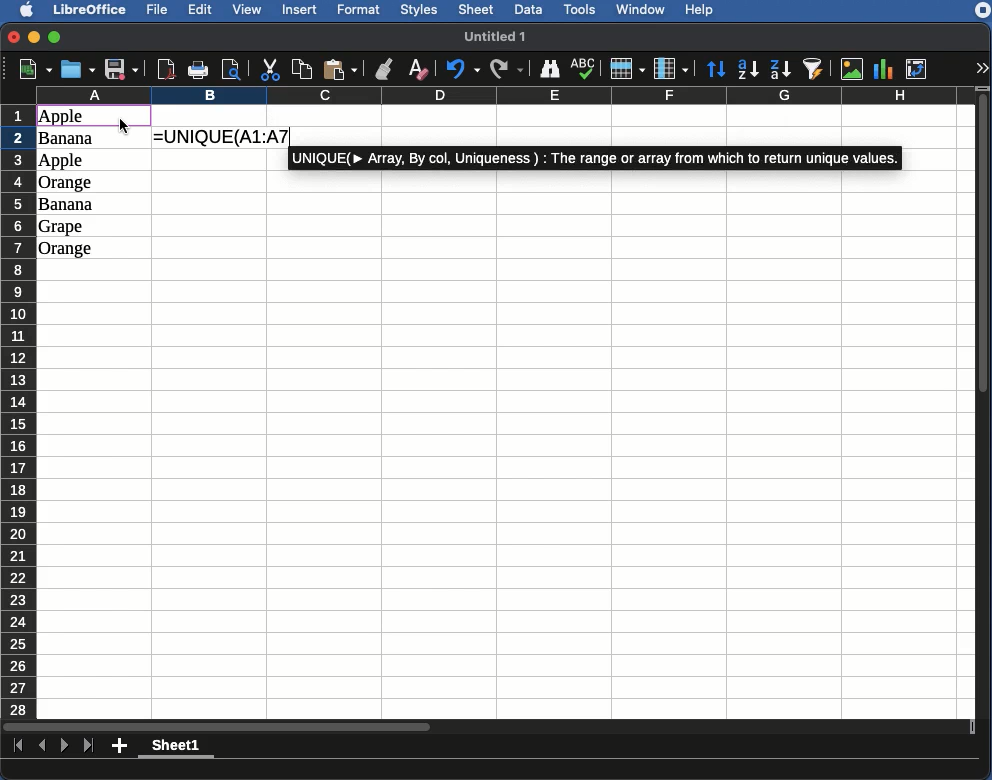  Describe the element at coordinates (750, 69) in the screenshot. I see `Ascending` at that location.